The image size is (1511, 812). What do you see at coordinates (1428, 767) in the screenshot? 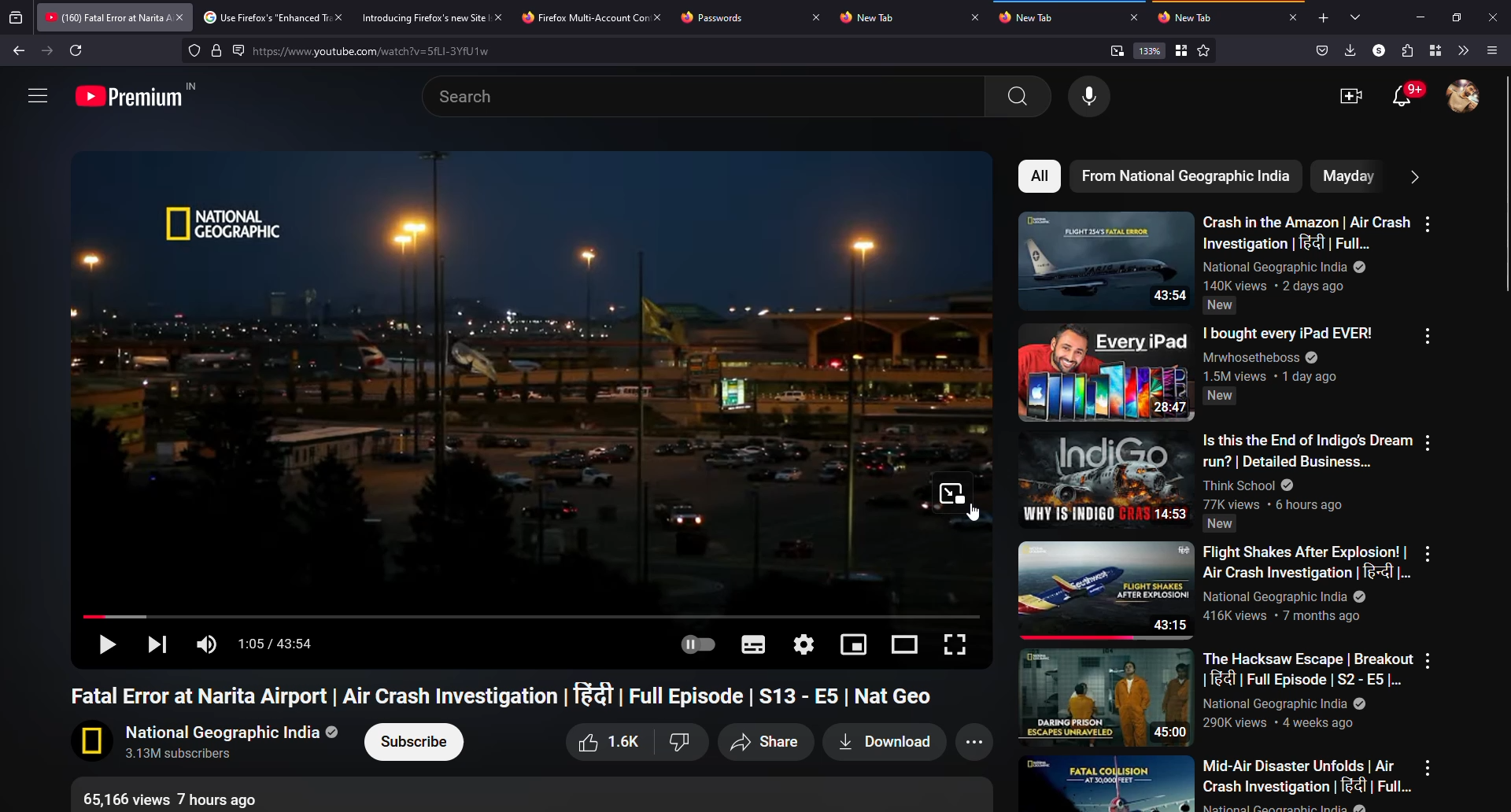
I see `more` at bounding box center [1428, 767].